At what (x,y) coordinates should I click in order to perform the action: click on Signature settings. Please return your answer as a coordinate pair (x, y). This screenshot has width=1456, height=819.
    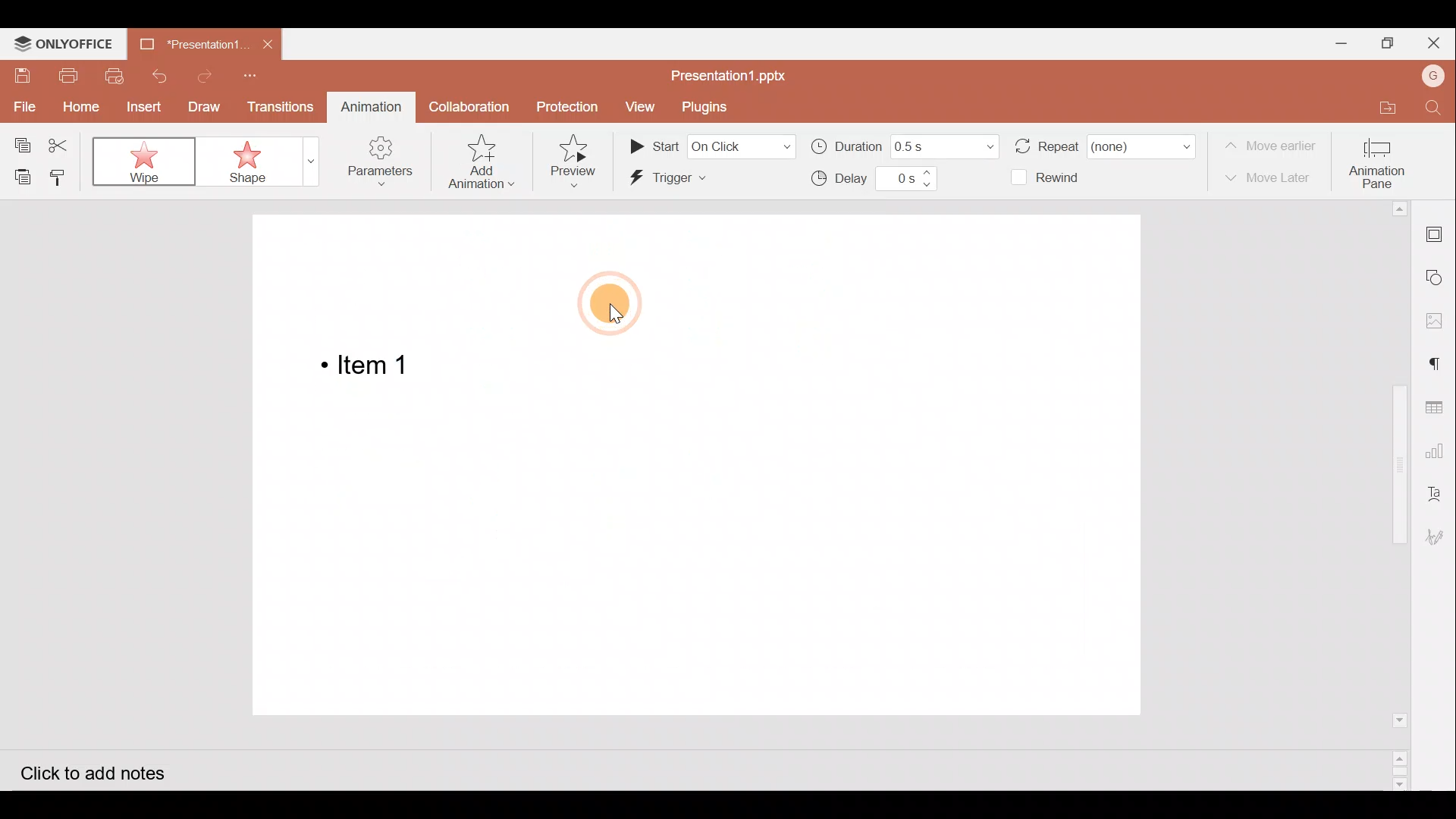
    Looking at the image, I should click on (1441, 541).